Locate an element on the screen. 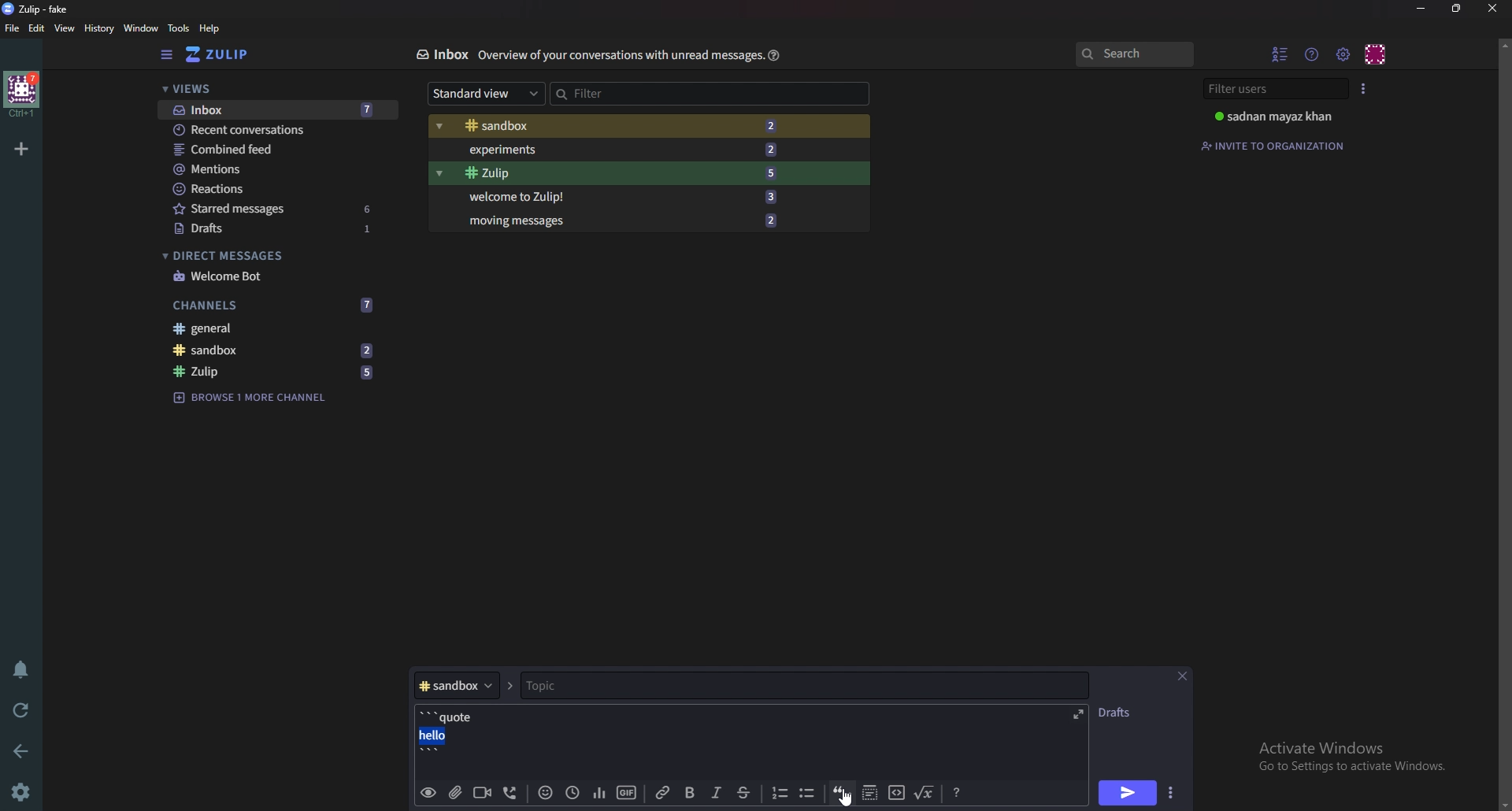 The image size is (1512, 811). 2 is located at coordinates (370, 350).